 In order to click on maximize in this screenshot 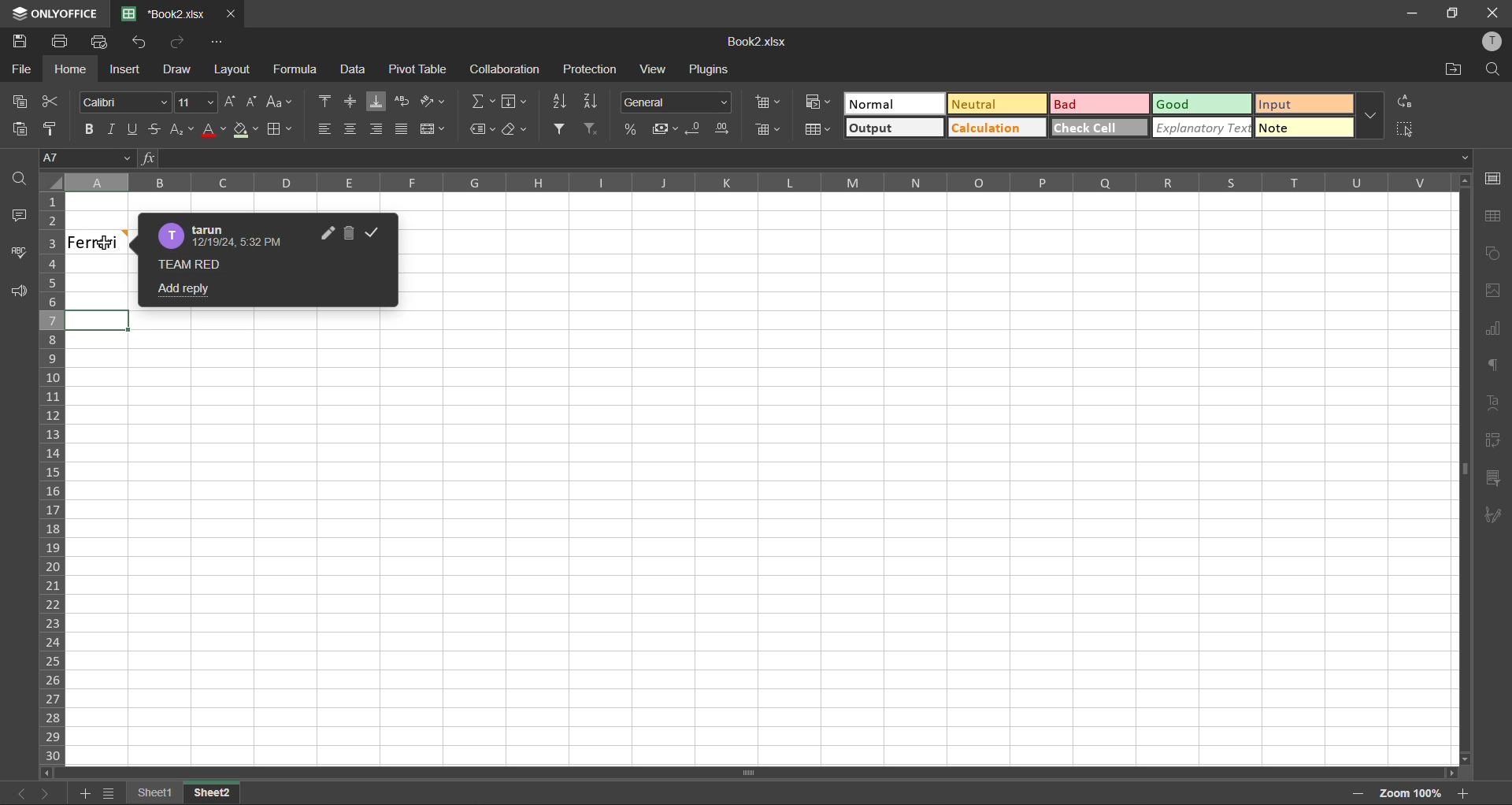, I will do `click(1451, 13)`.